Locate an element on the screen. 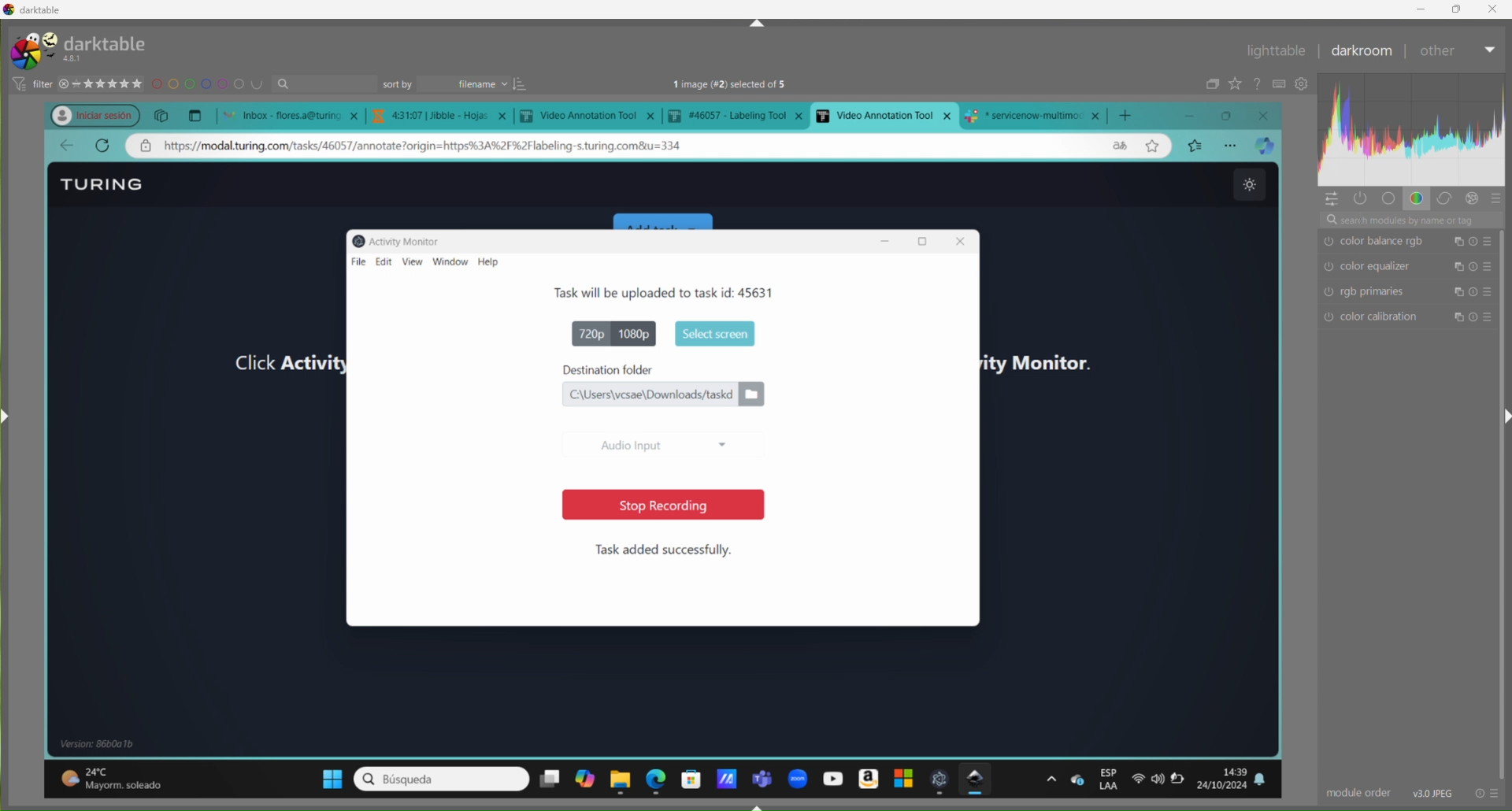 The height and width of the screenshot is (811, 1512). date and time is located at coordinates (1225, 777).